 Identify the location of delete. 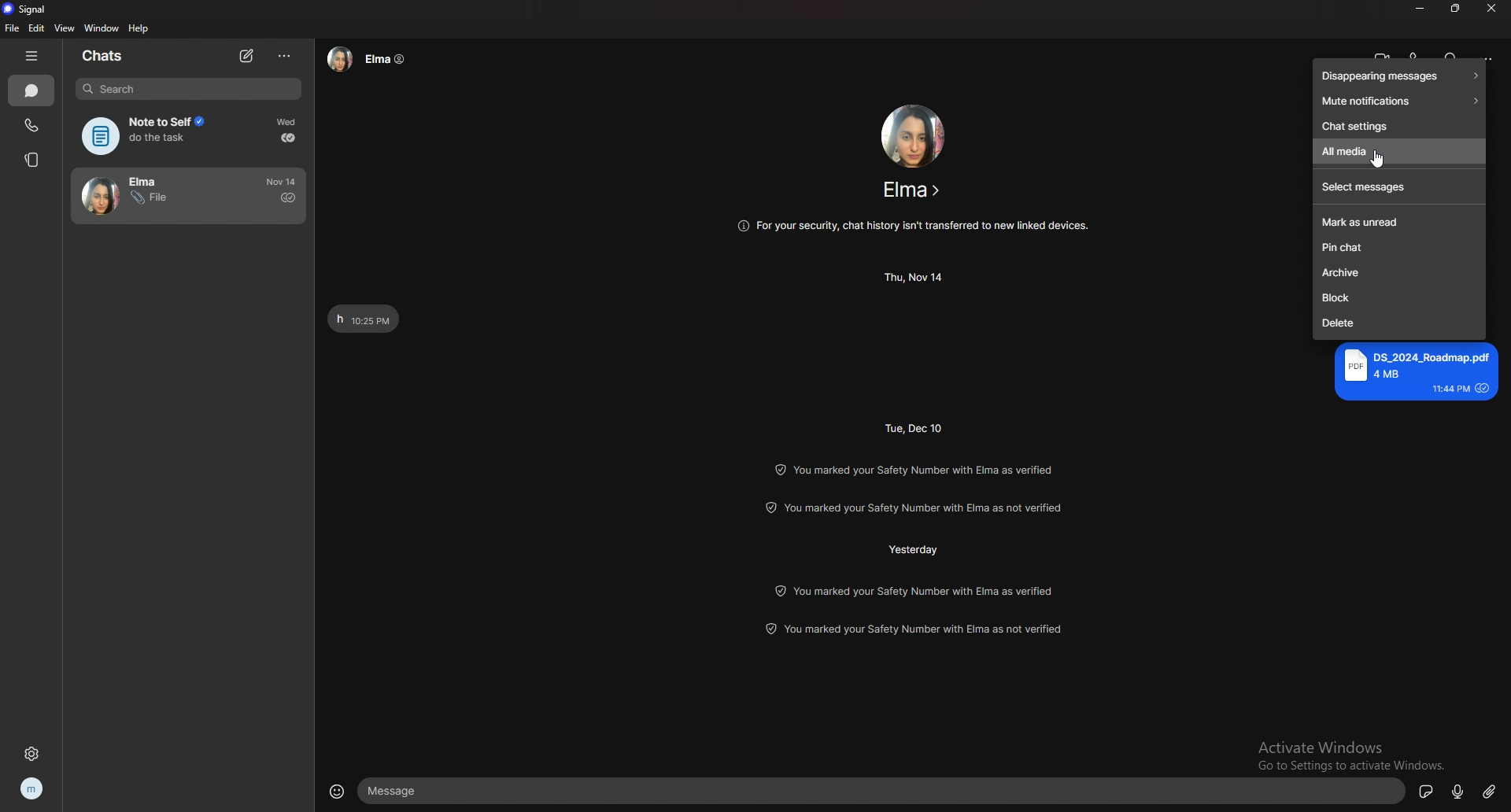
(1400, 325).